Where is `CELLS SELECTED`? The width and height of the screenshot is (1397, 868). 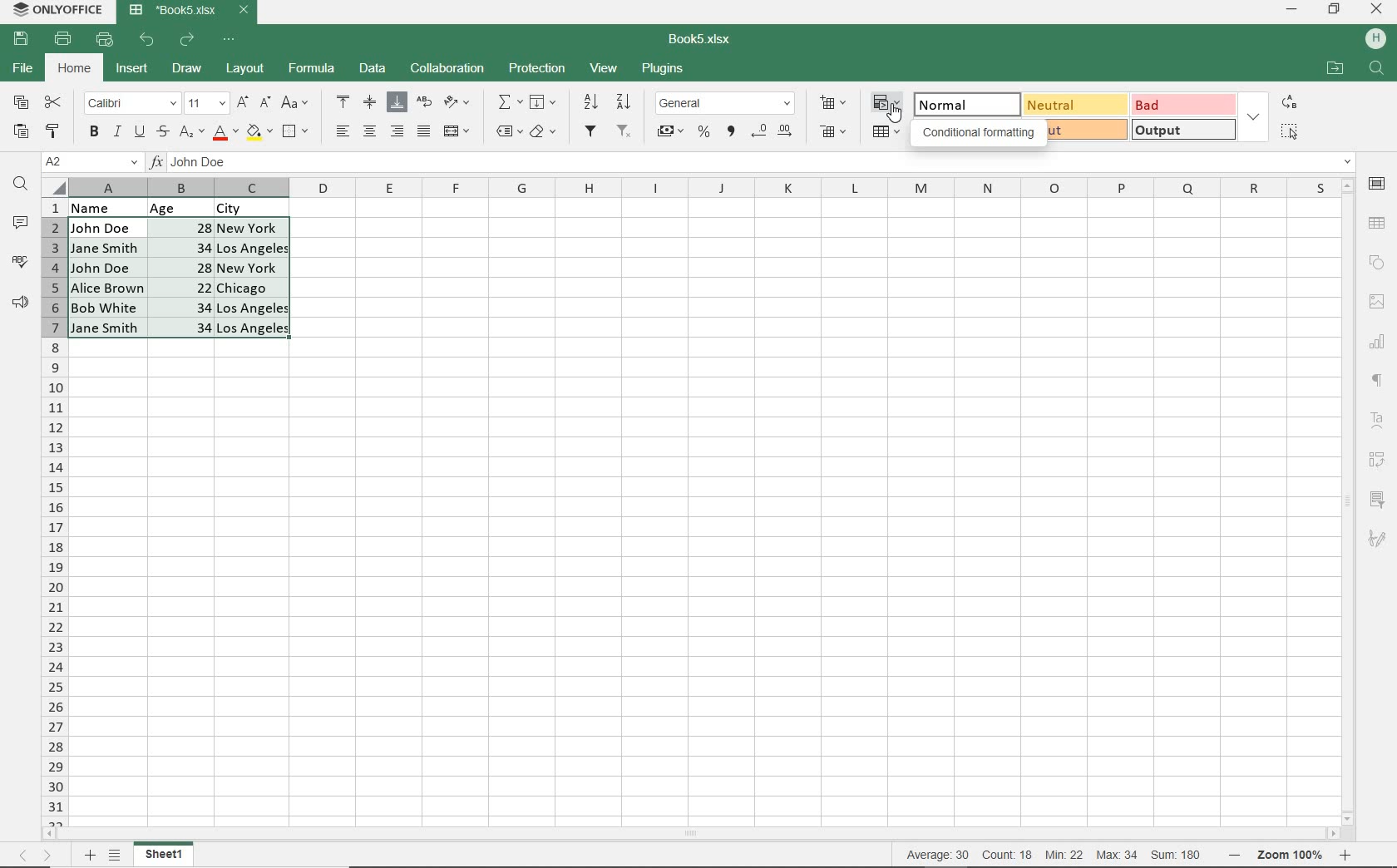 CELLS SELECTED is located at coordinates (180, 278).